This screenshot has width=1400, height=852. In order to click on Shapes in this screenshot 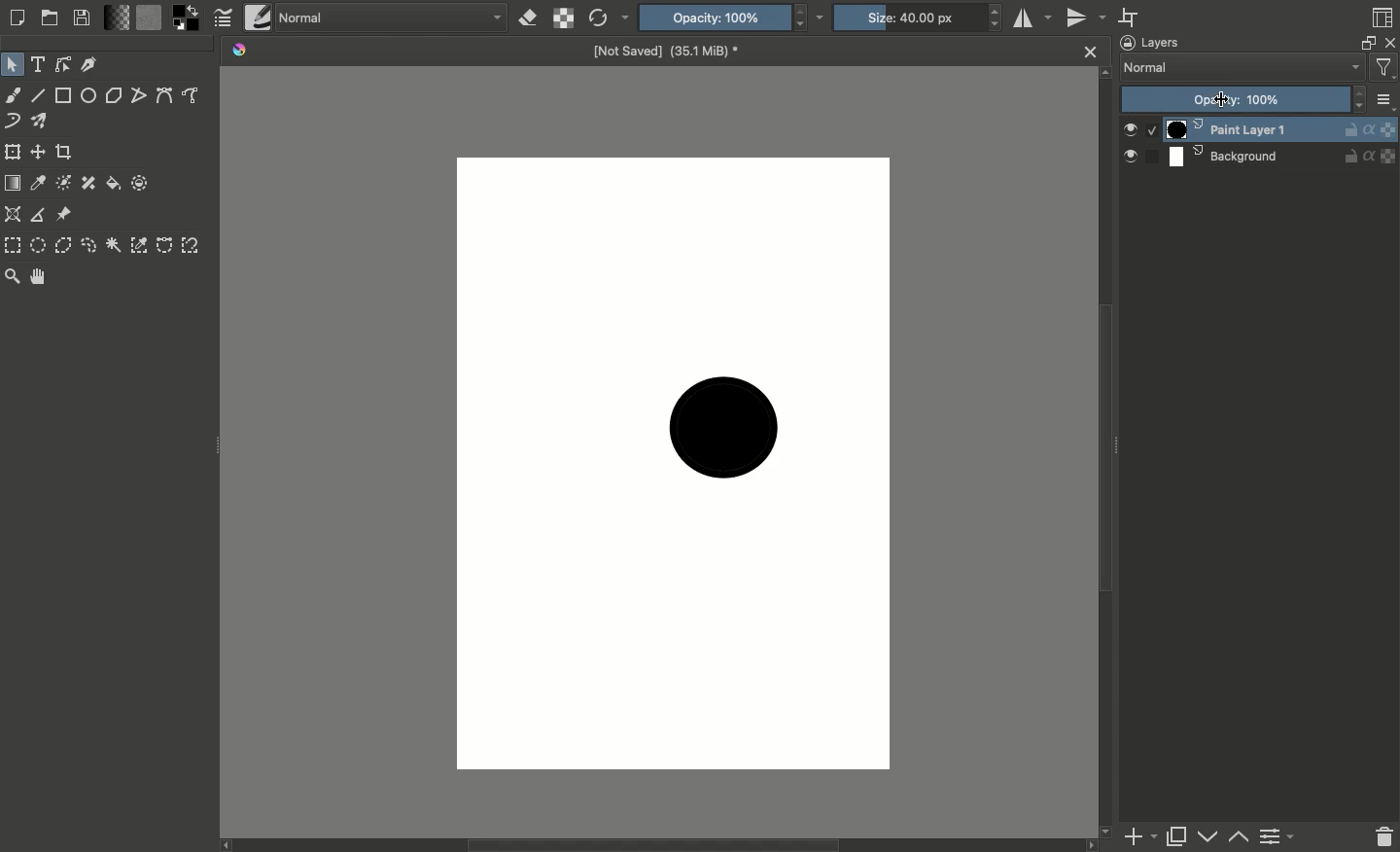, I will do `click(65, 64)`.